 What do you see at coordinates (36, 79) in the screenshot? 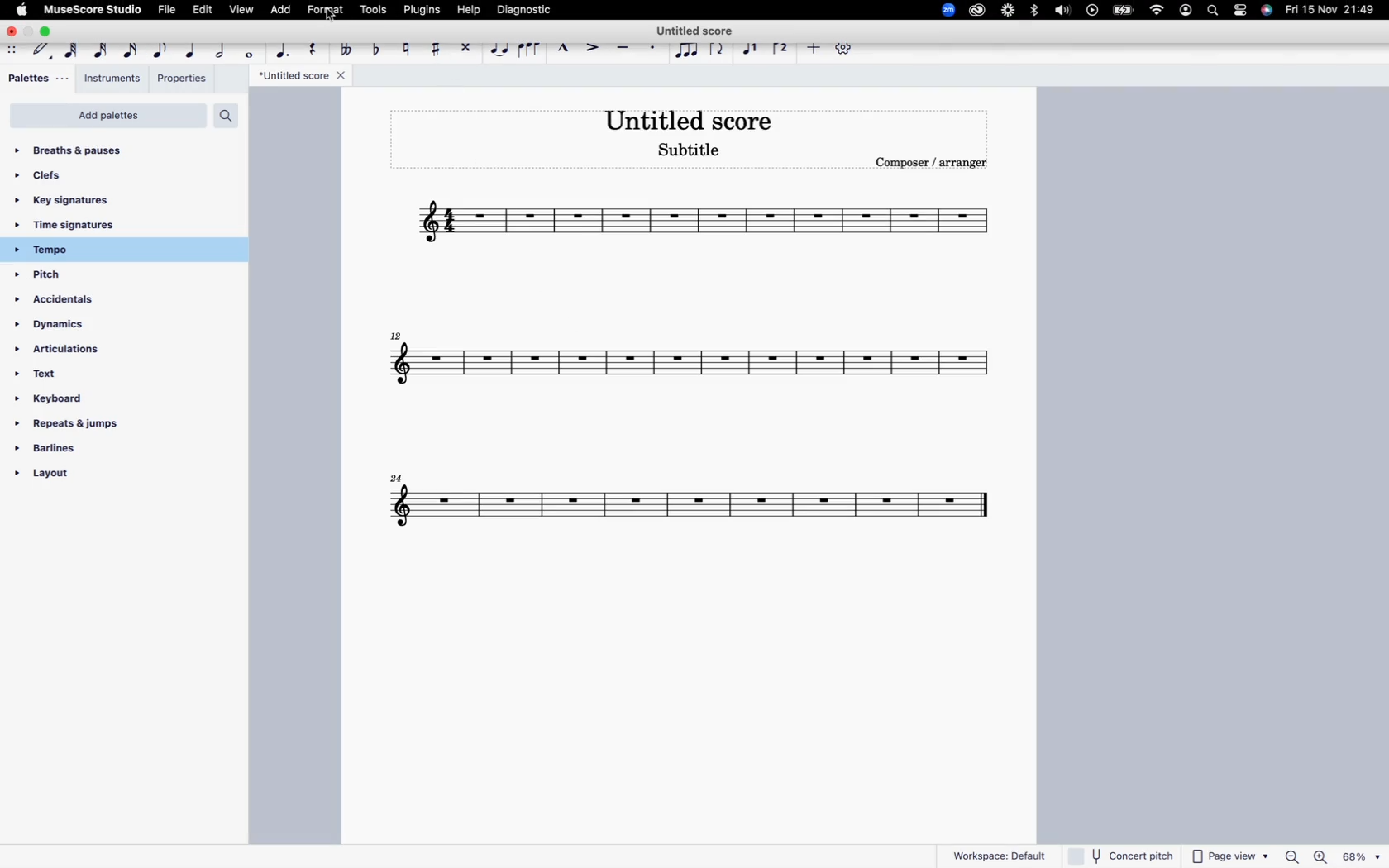
I see `palletes` at bounding box center [36, 79].